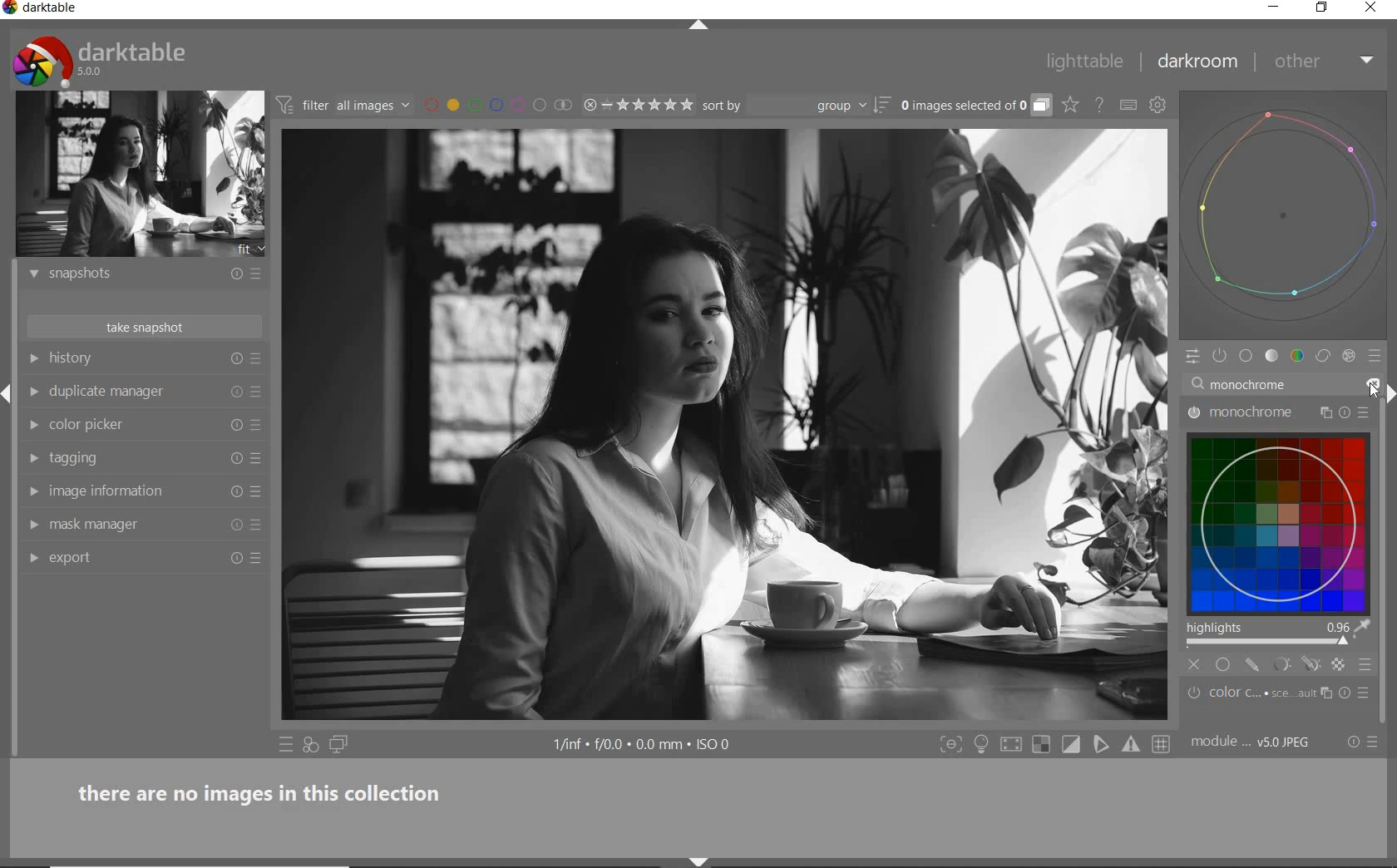 This screenshot has width=1397, height=868. What do you see at coordinates (1375, 387) in the screenshot?
I see `delete` at bounding box center [1375, 387].